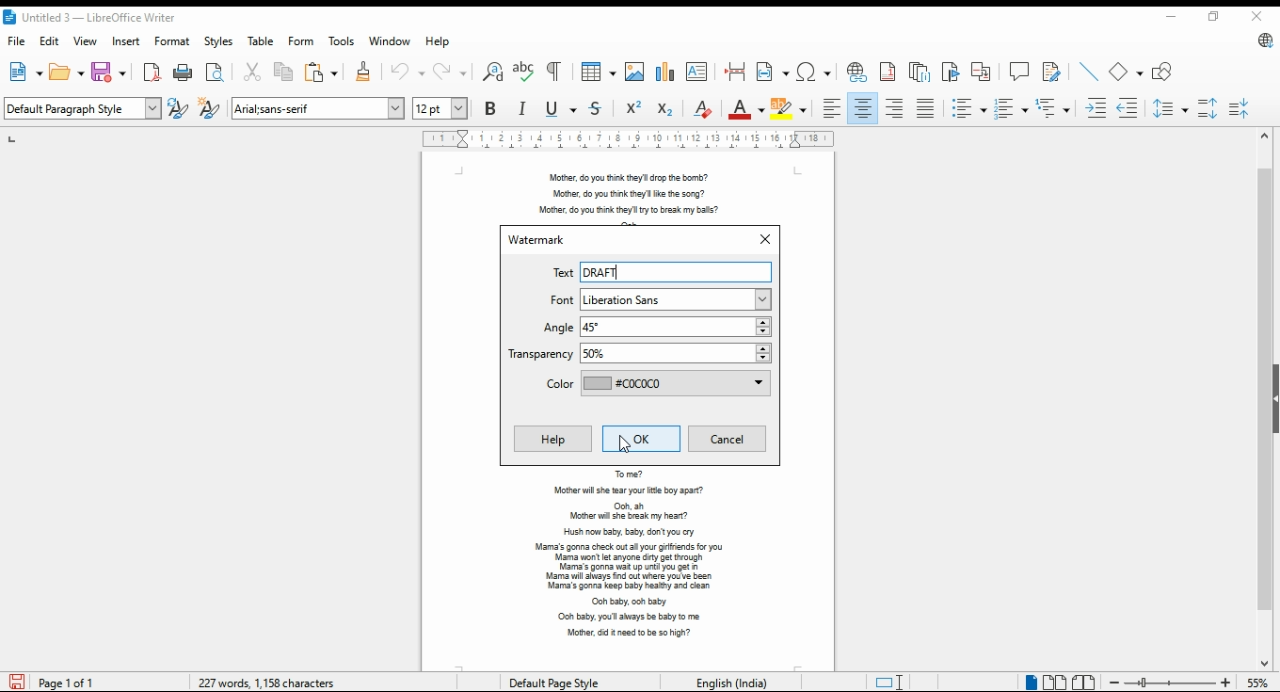  Describe the element at coordinates (1095, 108) in the screenshot. I see `increase indent` at that location.